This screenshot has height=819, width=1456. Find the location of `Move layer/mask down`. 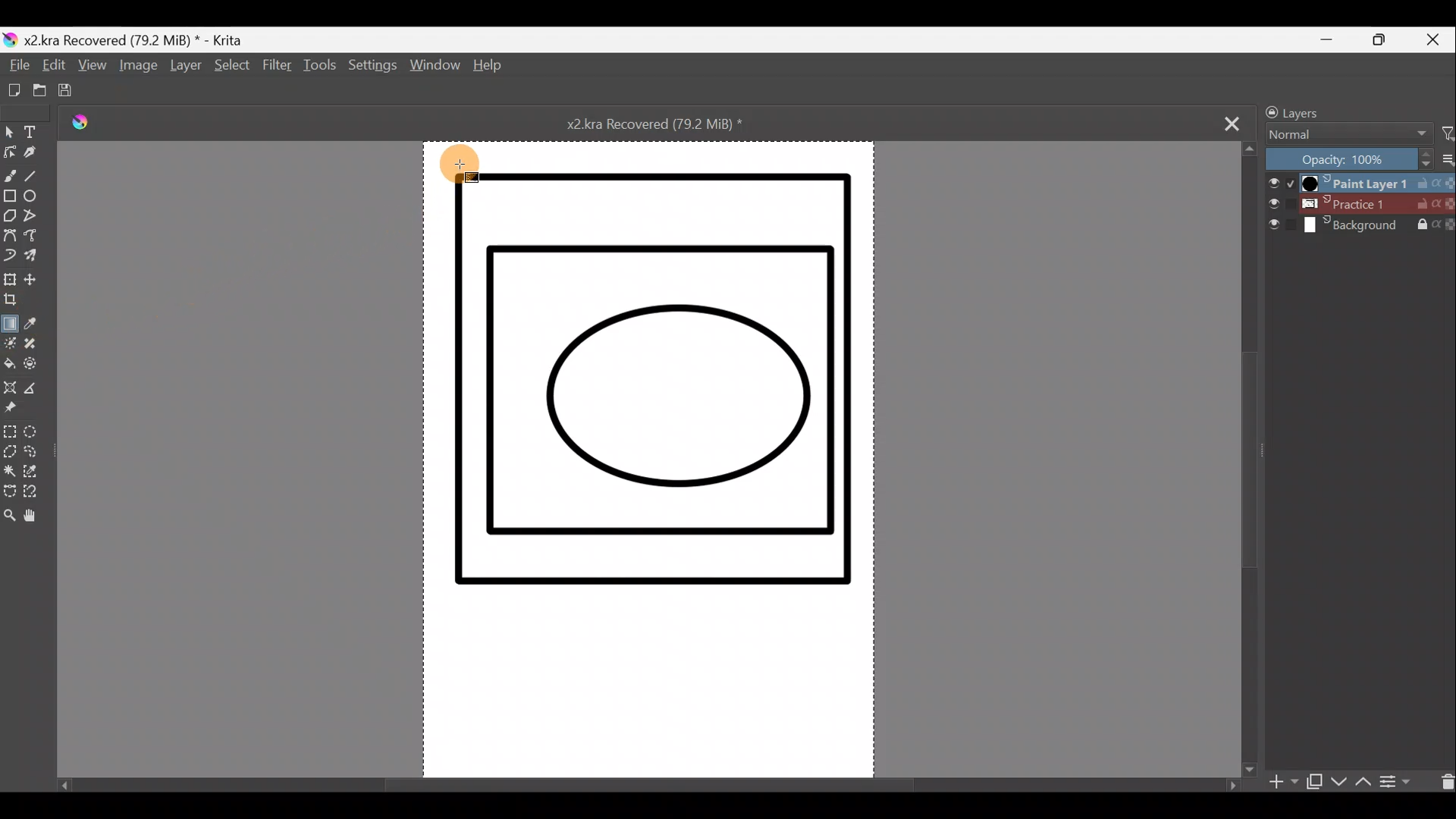

Move layer/mask down is located at coordinates (1337, 782).